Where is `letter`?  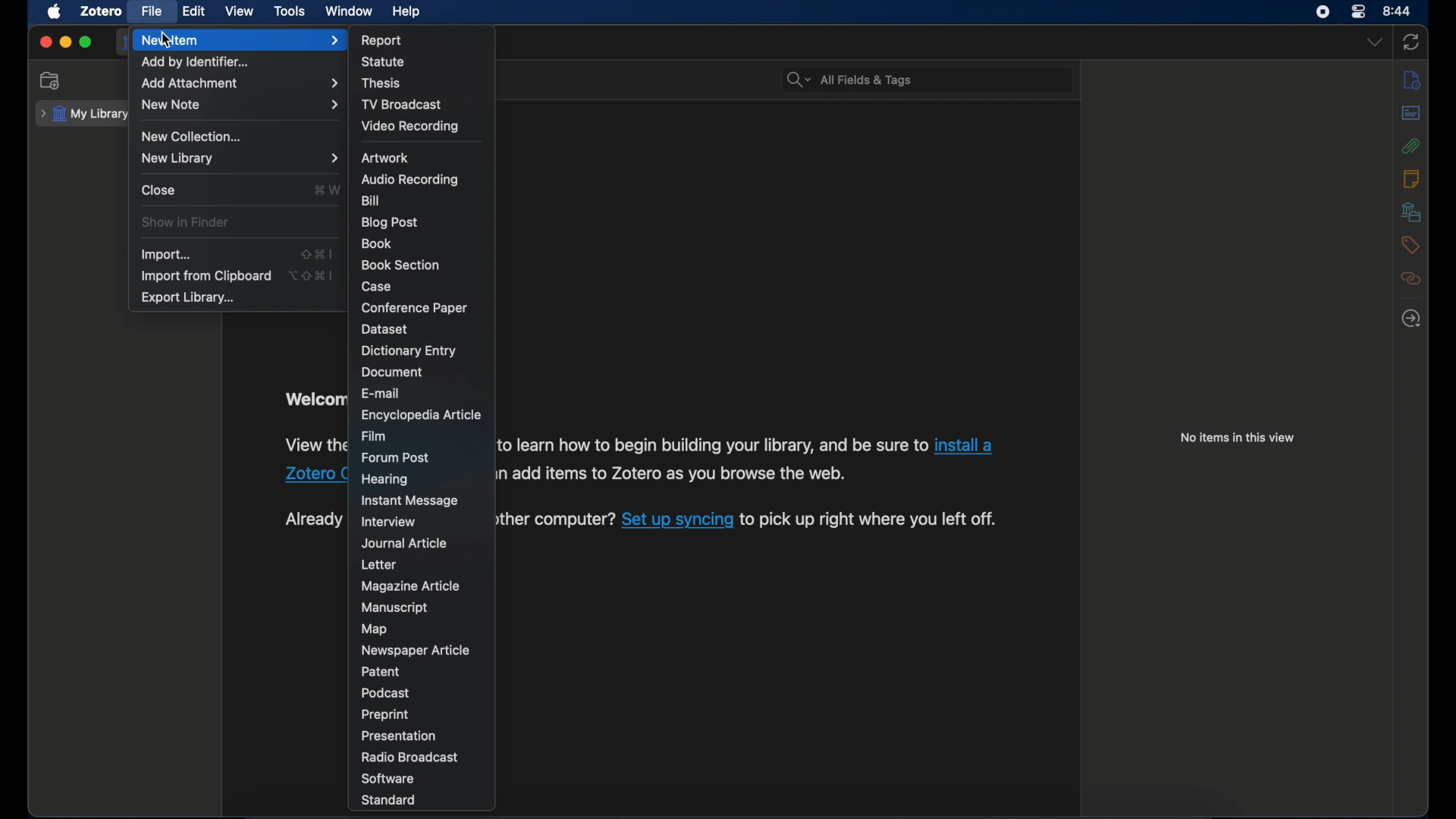 letter is located at coordinates (379, 565).